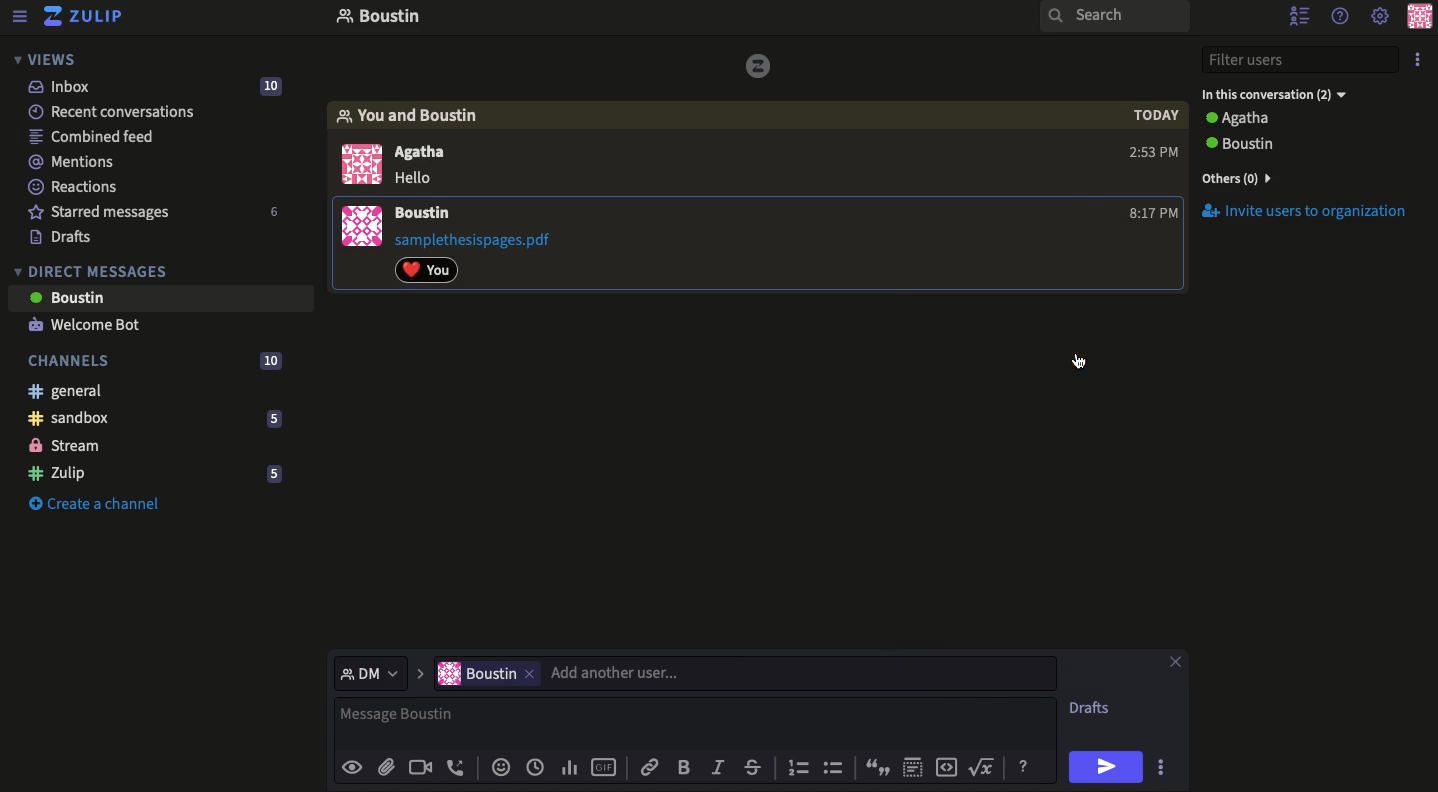 The image size is (1438, 792). Describe the element at coordinates (1154, 212) in the screenshot. I see `Time` at that location.